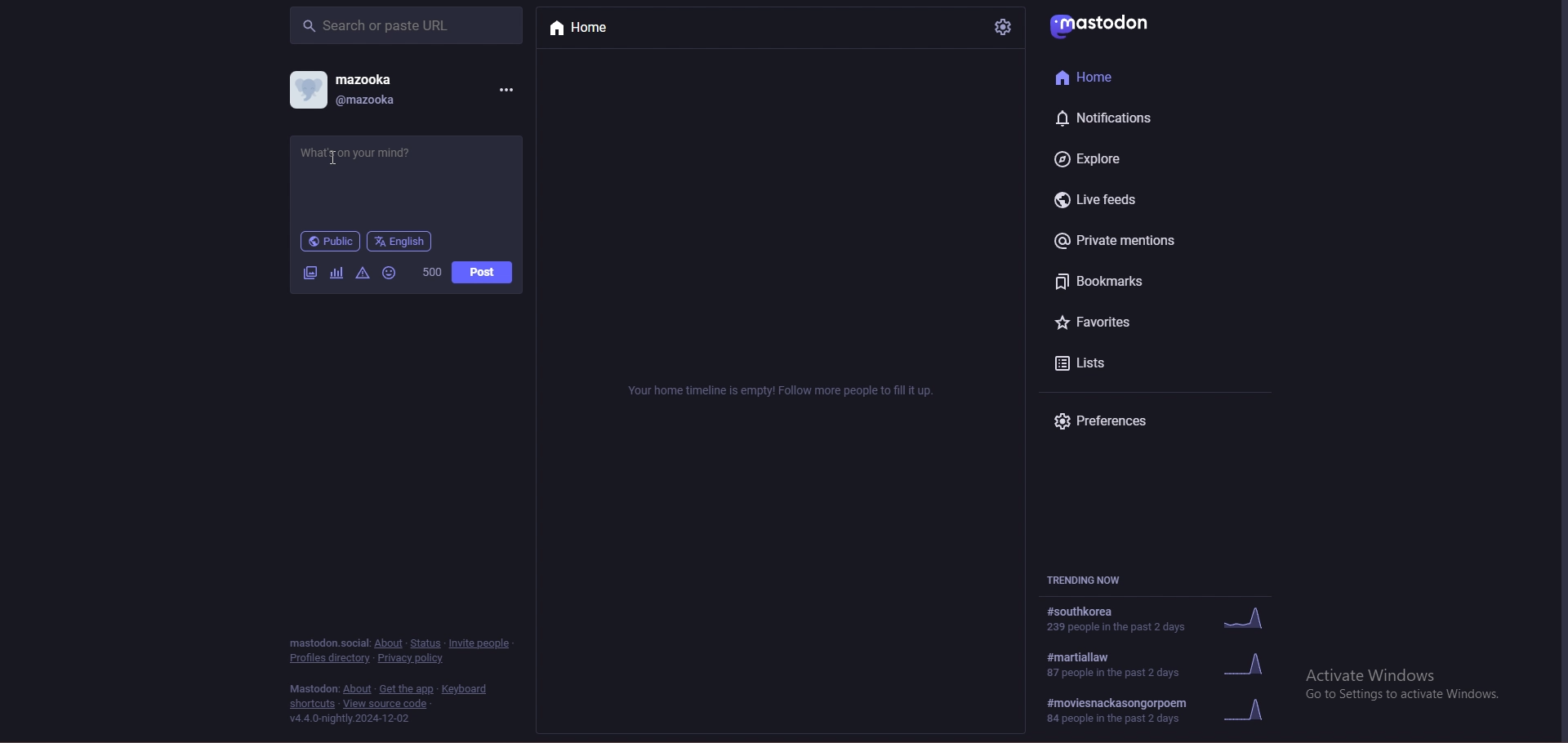 This screenshot has height=743, width=1568. I want to click on about, so click(357, 689).